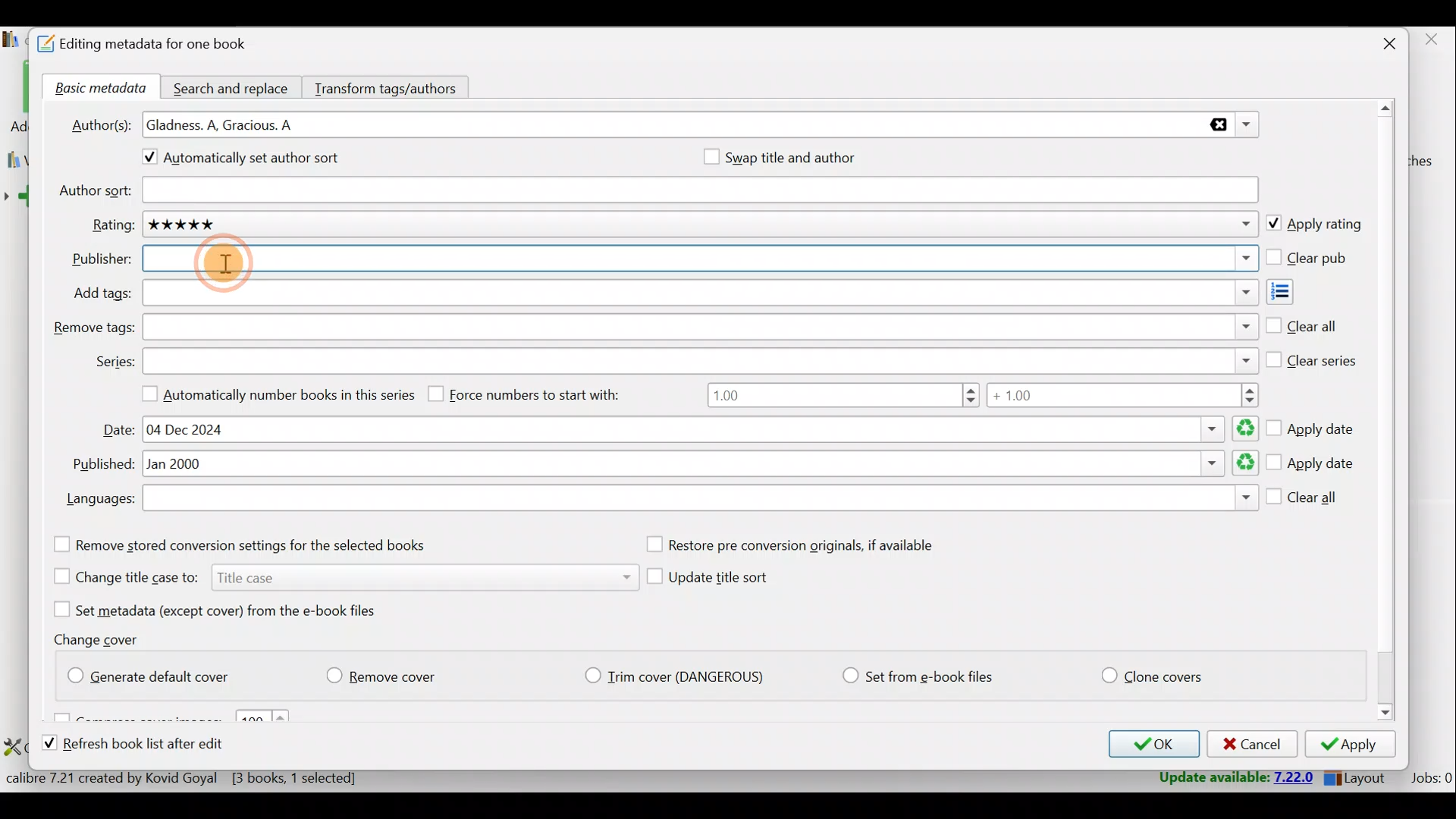 Image resolution: width=1456 pixels, height=819 pixels. I want to click on Swap title and author, so click(808, 157).